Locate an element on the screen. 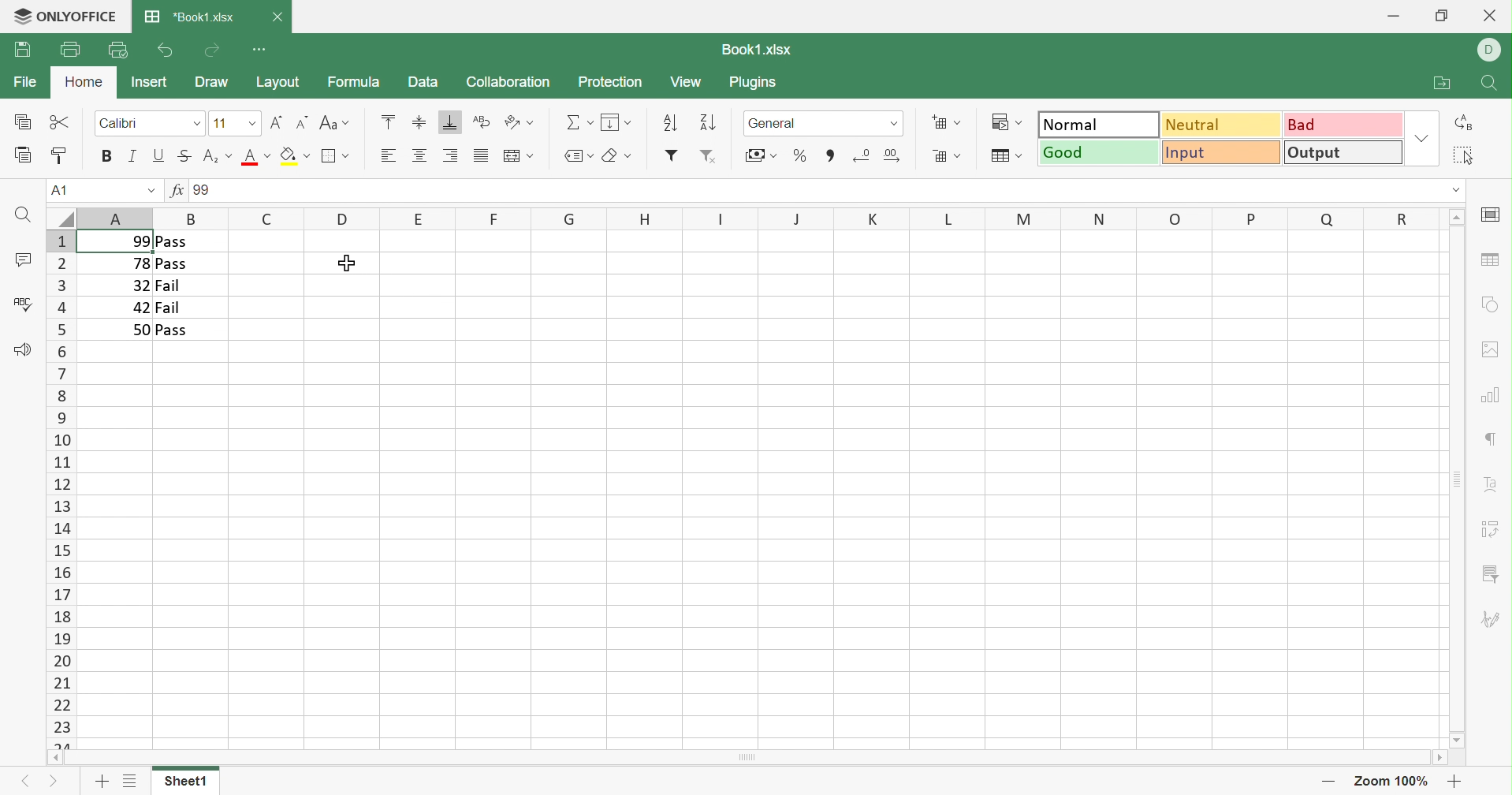 This screenshot has width=1512, height=795. Paste is located at coordinates (24, 155).